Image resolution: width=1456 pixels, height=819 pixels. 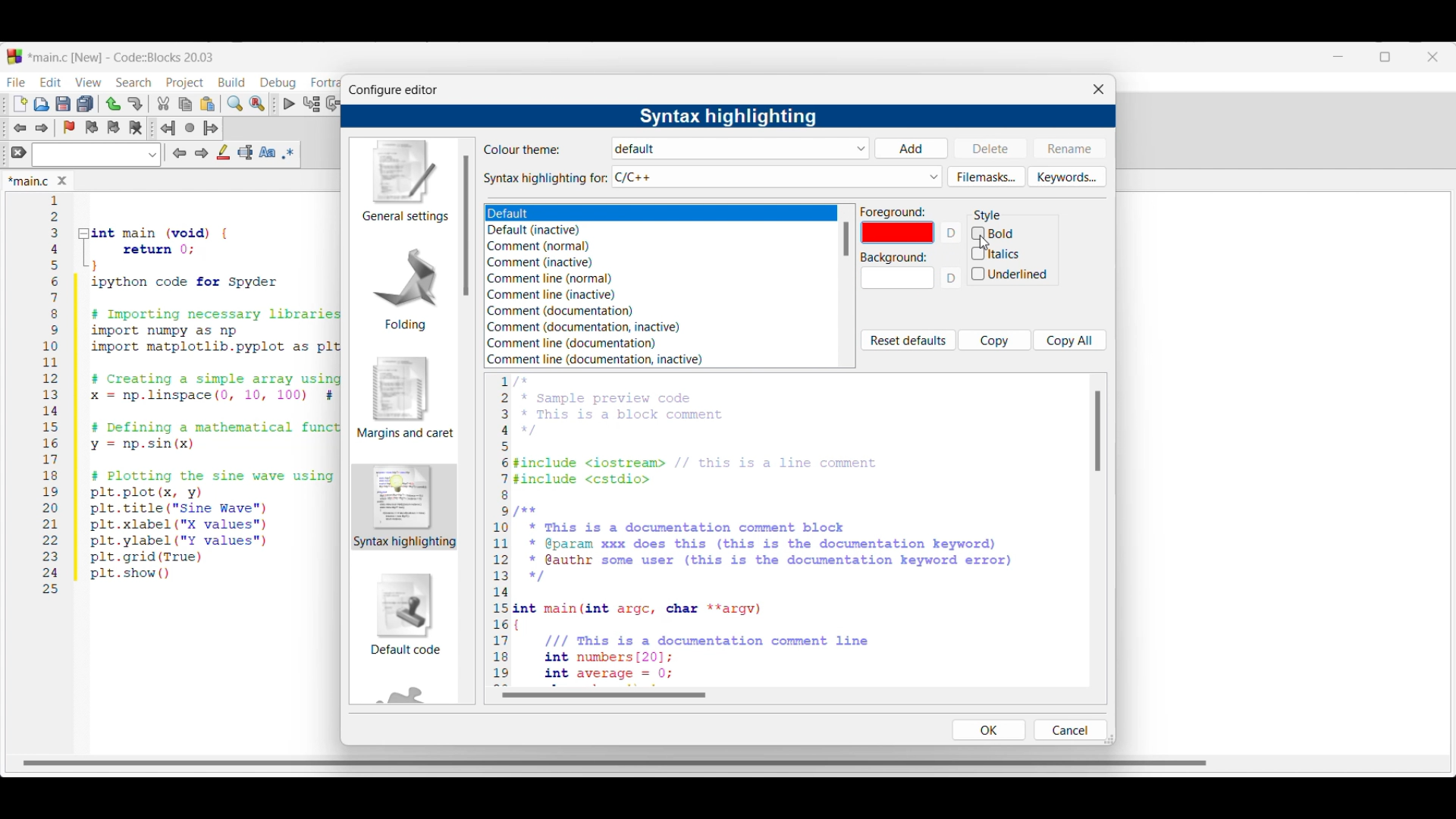 I want to click on Toggle forward, so click(x=42, y=128).